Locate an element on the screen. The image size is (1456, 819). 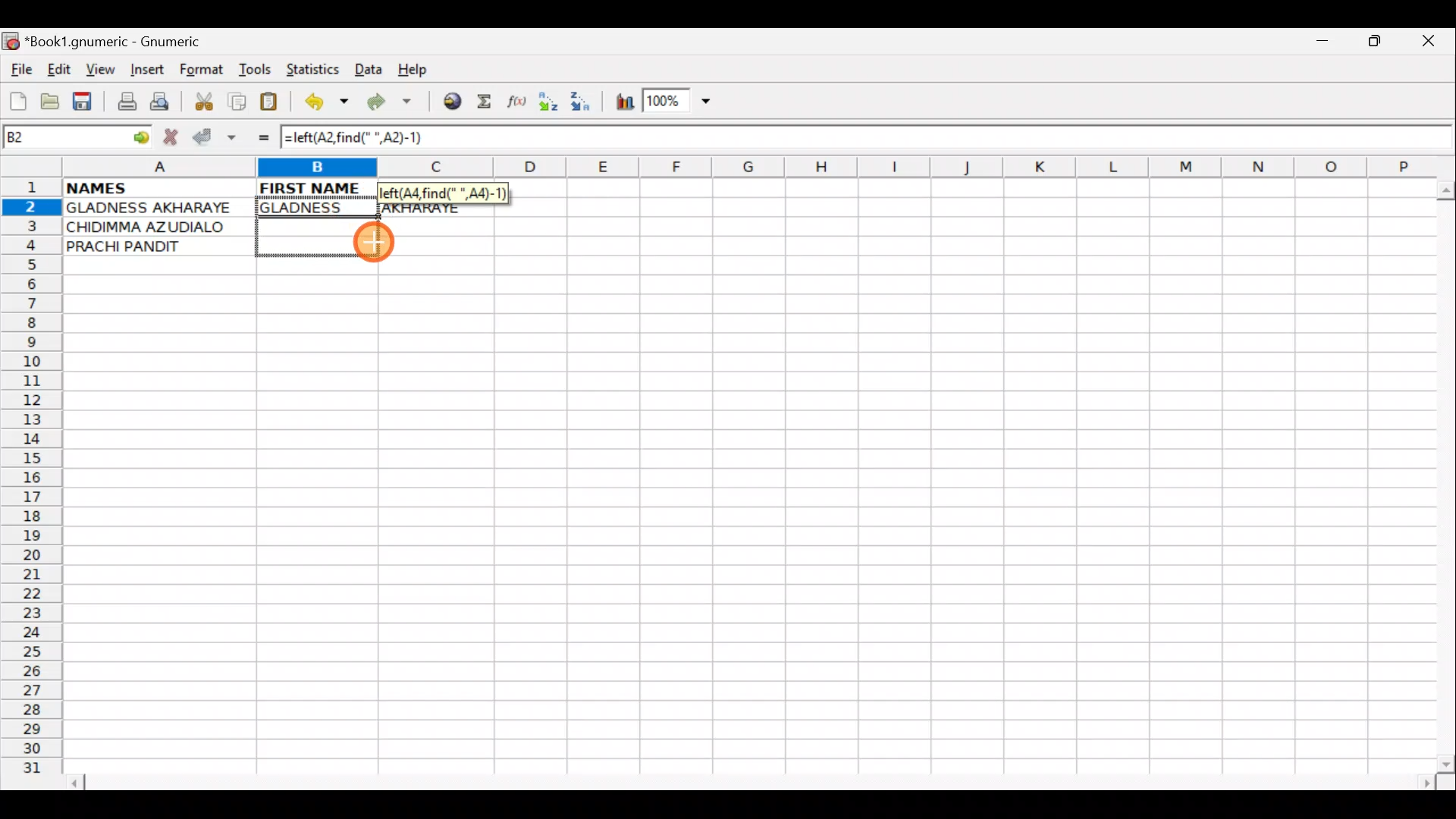
FIRST NAME is located at coordinates (312, 187).